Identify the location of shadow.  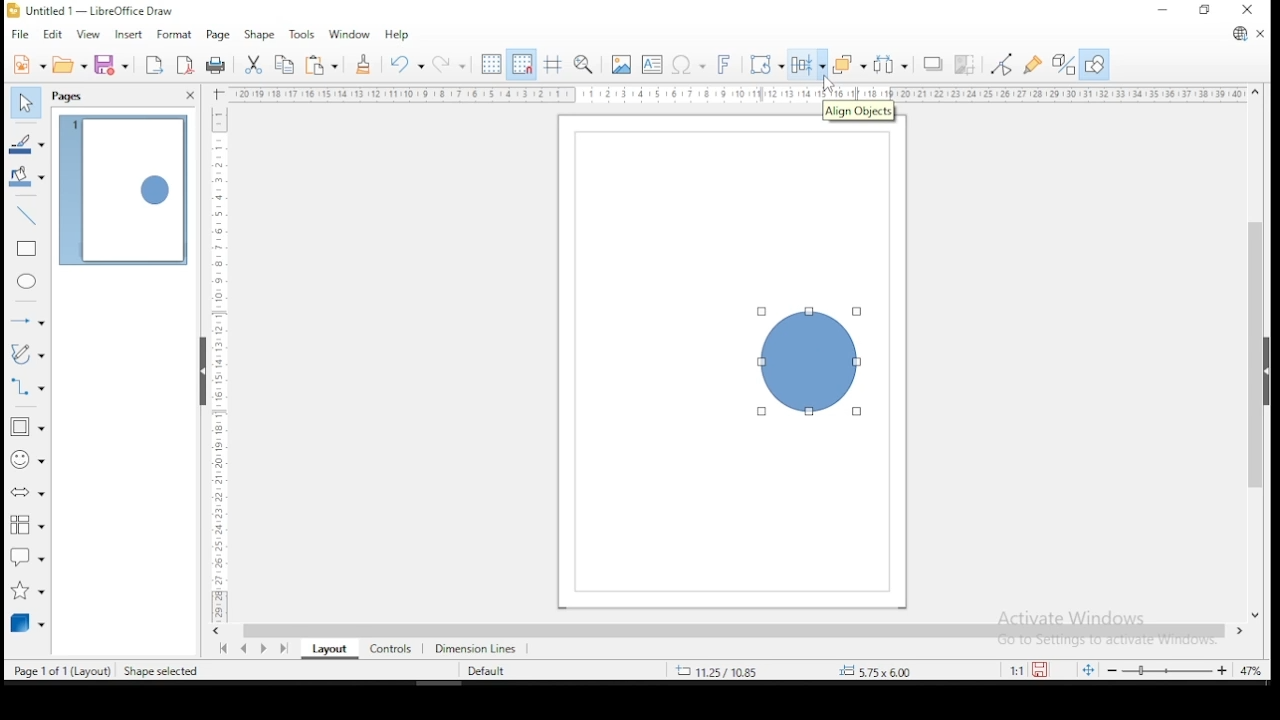
(933, 65).